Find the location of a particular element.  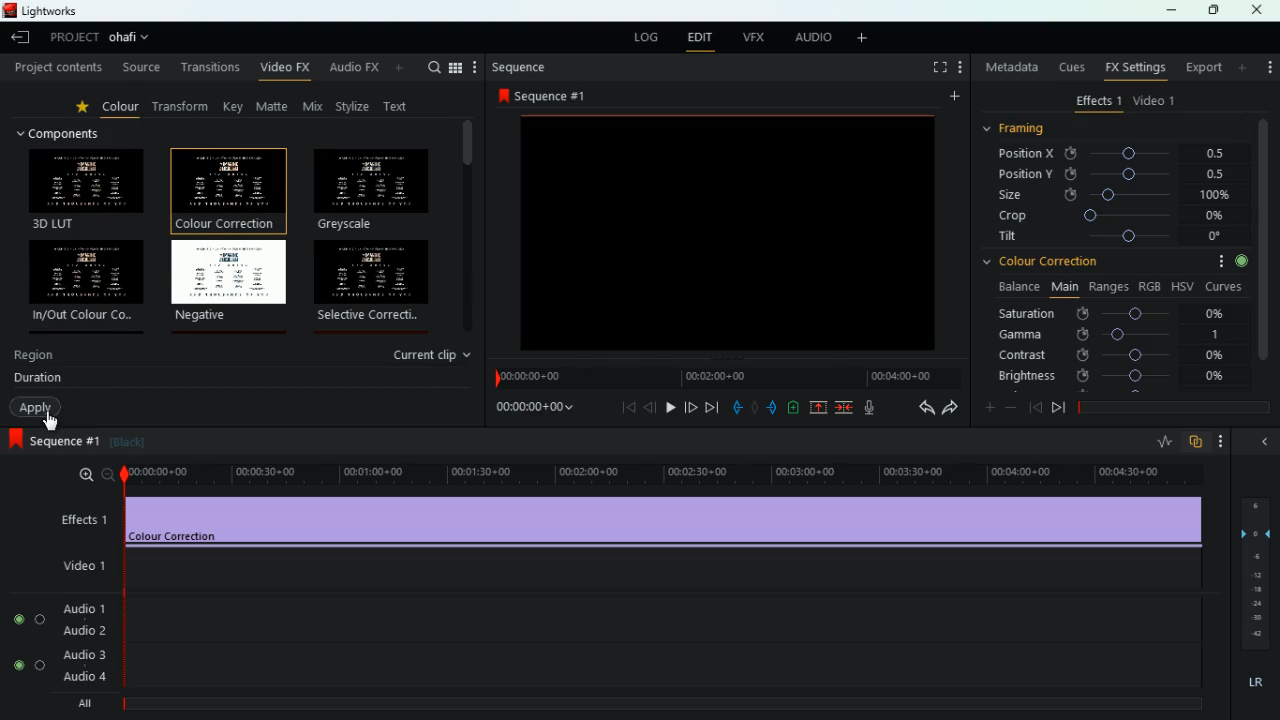

rgb is located at coordinates (1151, 287).